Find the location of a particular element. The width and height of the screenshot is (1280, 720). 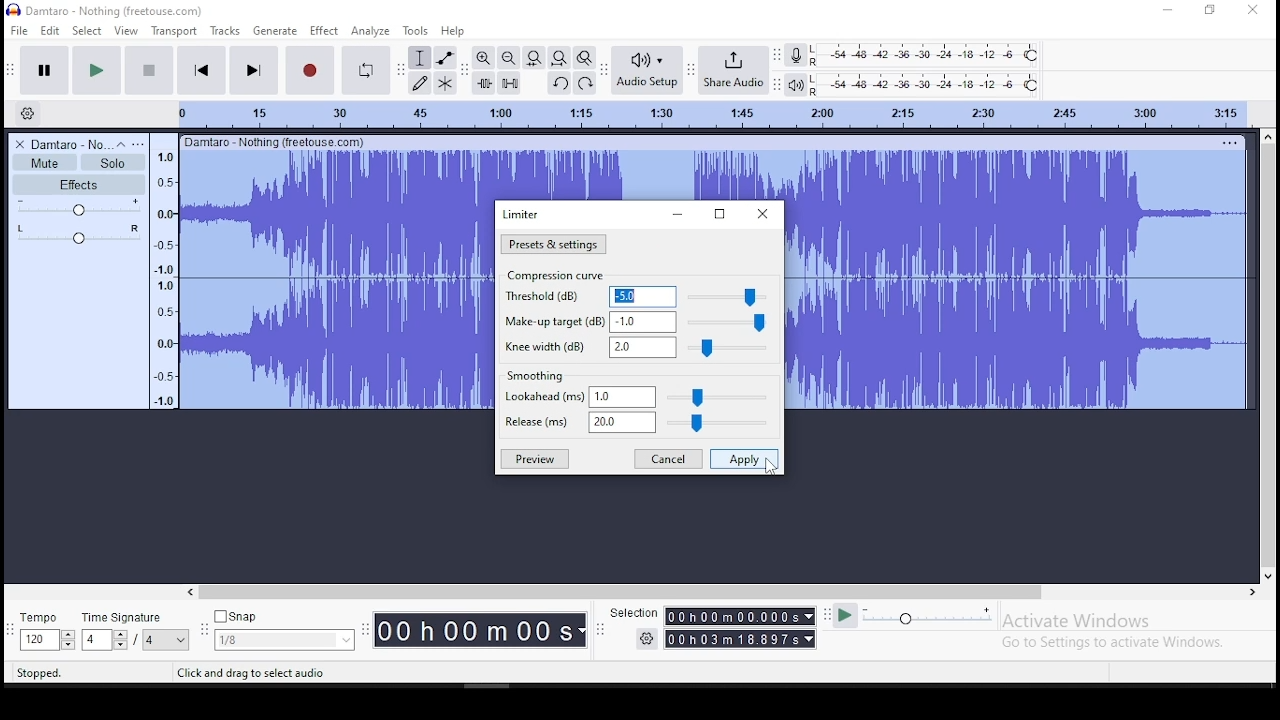

view is located at coordinates (126, 30).